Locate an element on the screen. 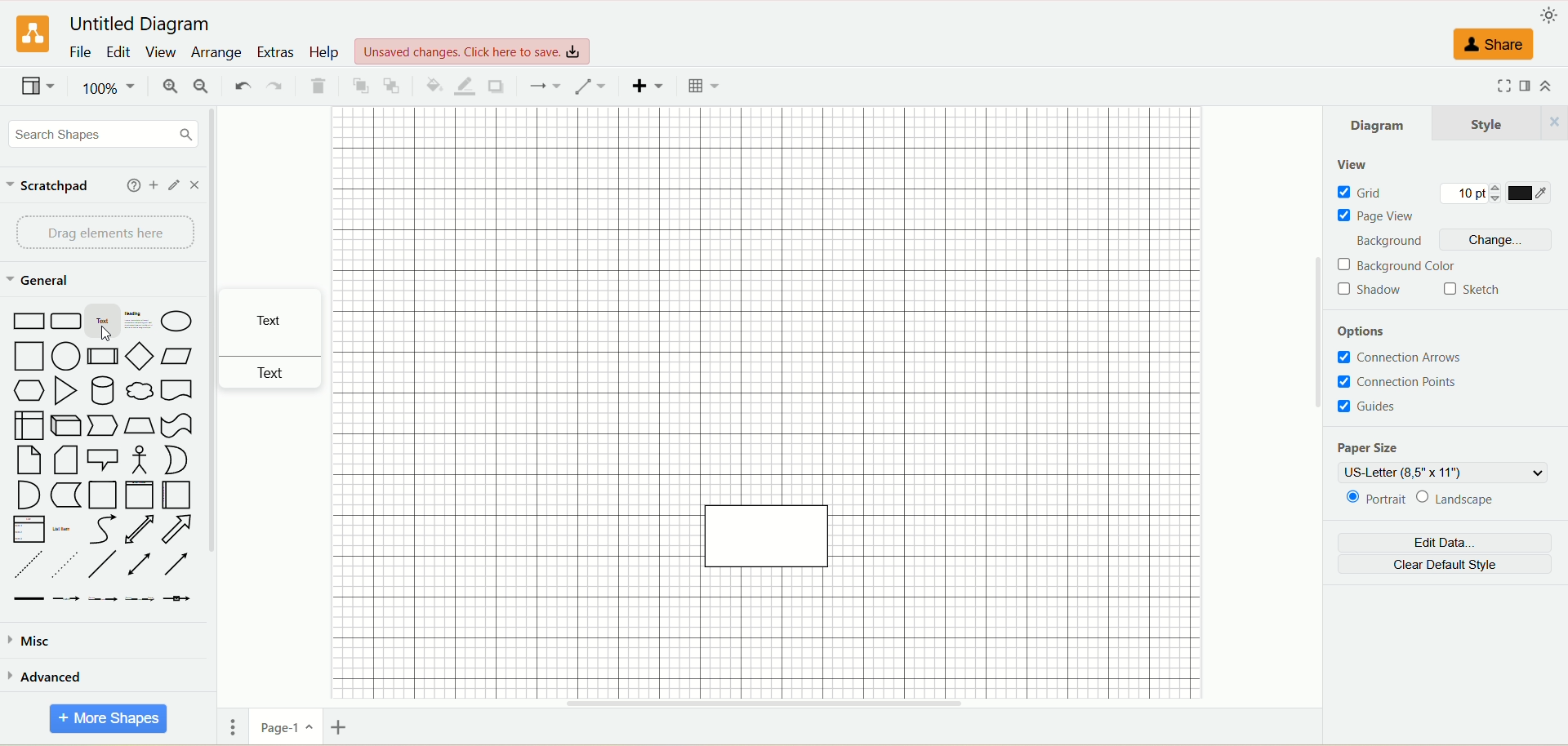 This screenshot has height=746, width=1568. cube is located at coordinates (69, 425).